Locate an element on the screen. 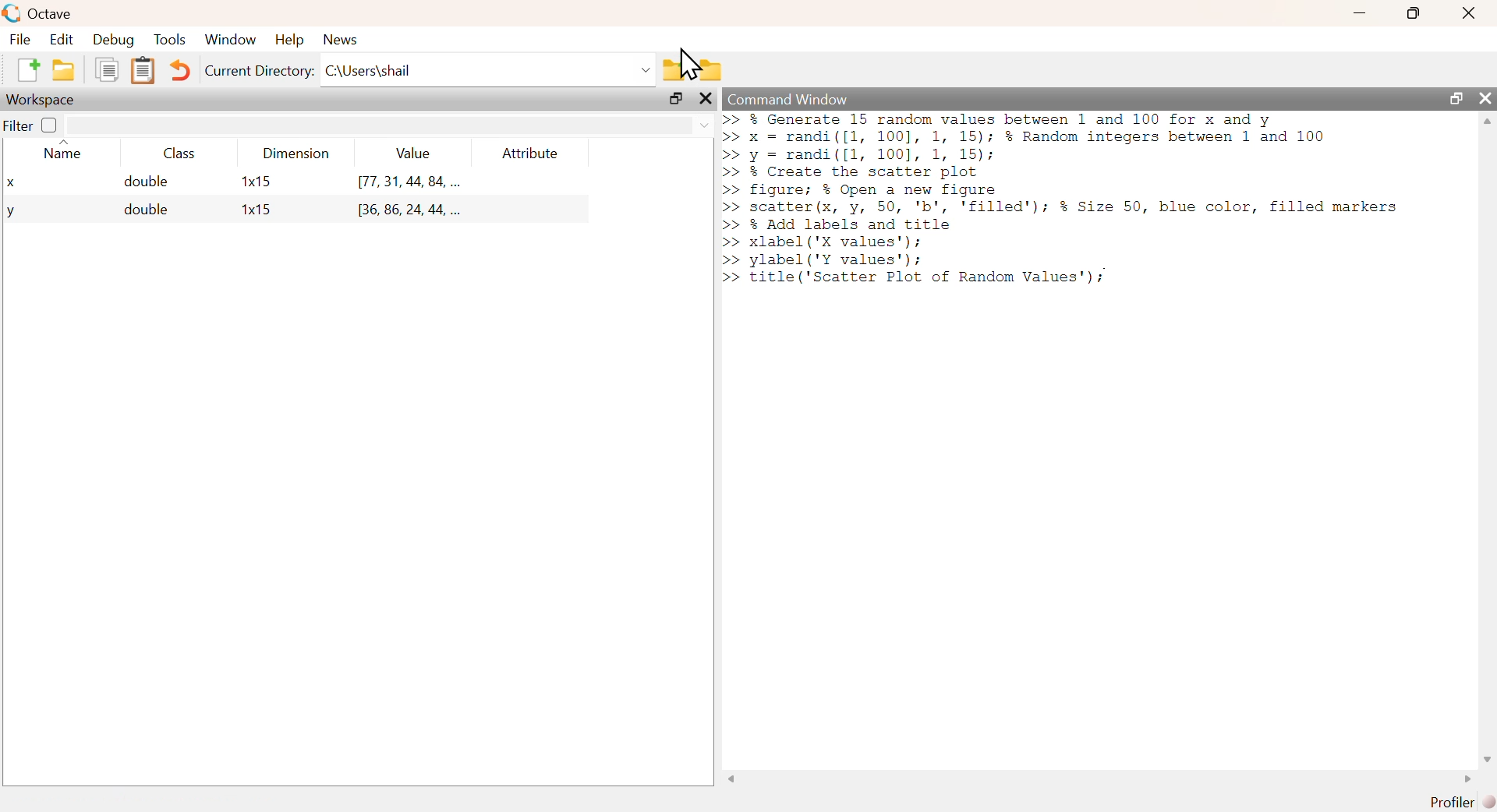 This screenshot has height=812, width=1497. dropdown is located at coordinates (704, 126).